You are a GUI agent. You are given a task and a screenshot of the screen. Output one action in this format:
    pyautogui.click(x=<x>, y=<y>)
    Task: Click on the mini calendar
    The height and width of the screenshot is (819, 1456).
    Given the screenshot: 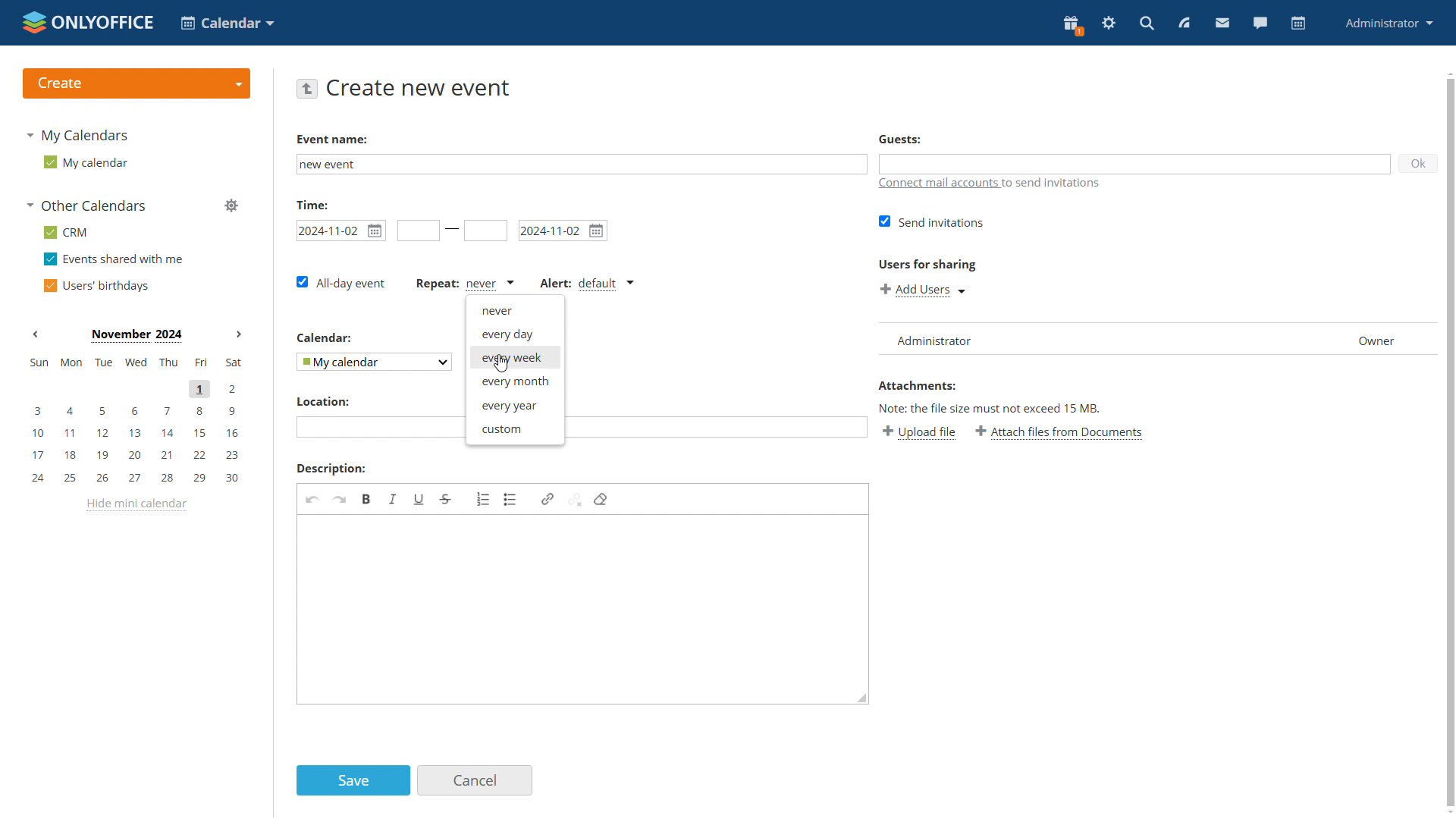 What is the action you would take?
    pyautogui.click(x=134, y=422)
    